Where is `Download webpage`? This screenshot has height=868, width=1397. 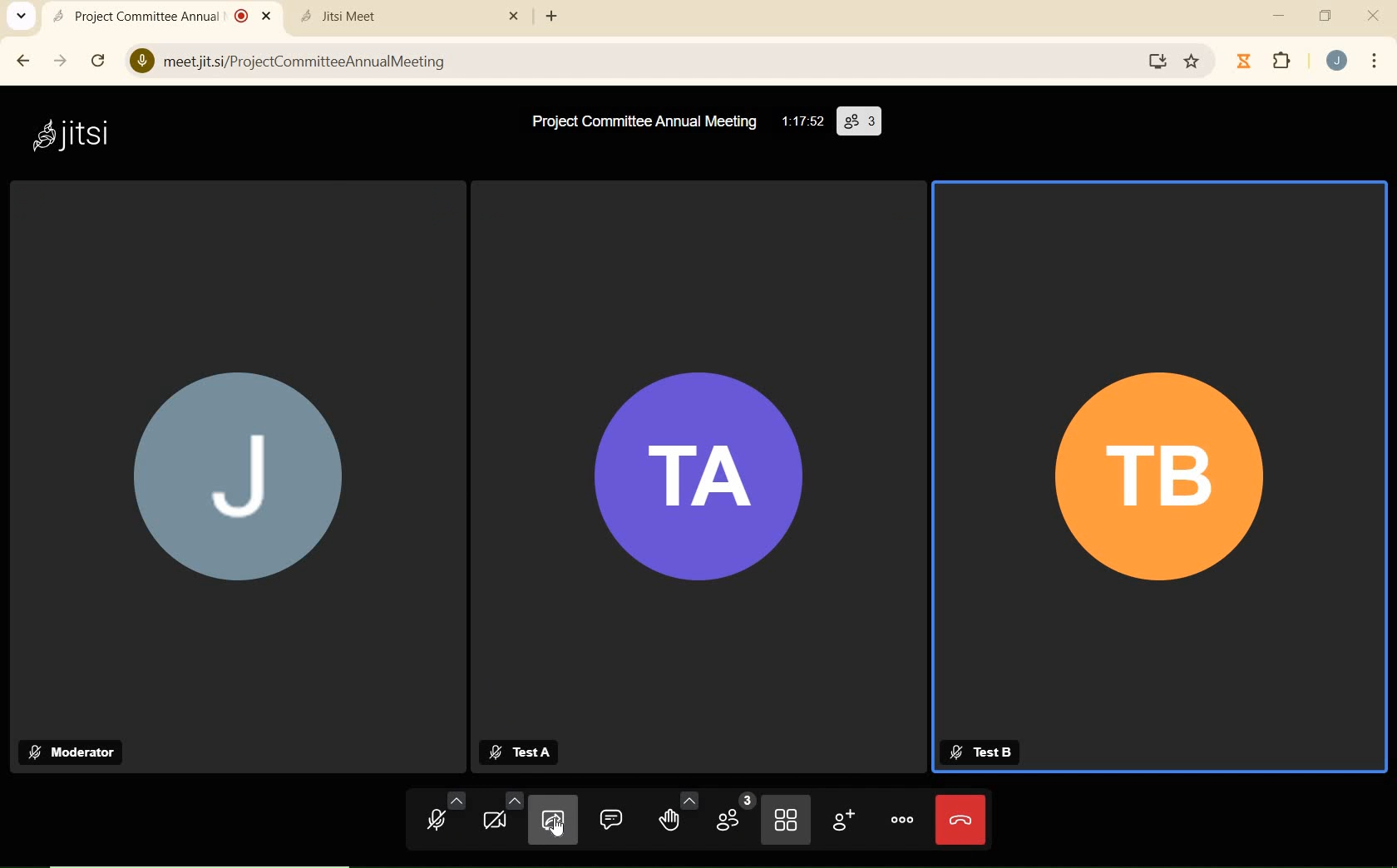 Download webpage is located at coordinates (1159, 62).